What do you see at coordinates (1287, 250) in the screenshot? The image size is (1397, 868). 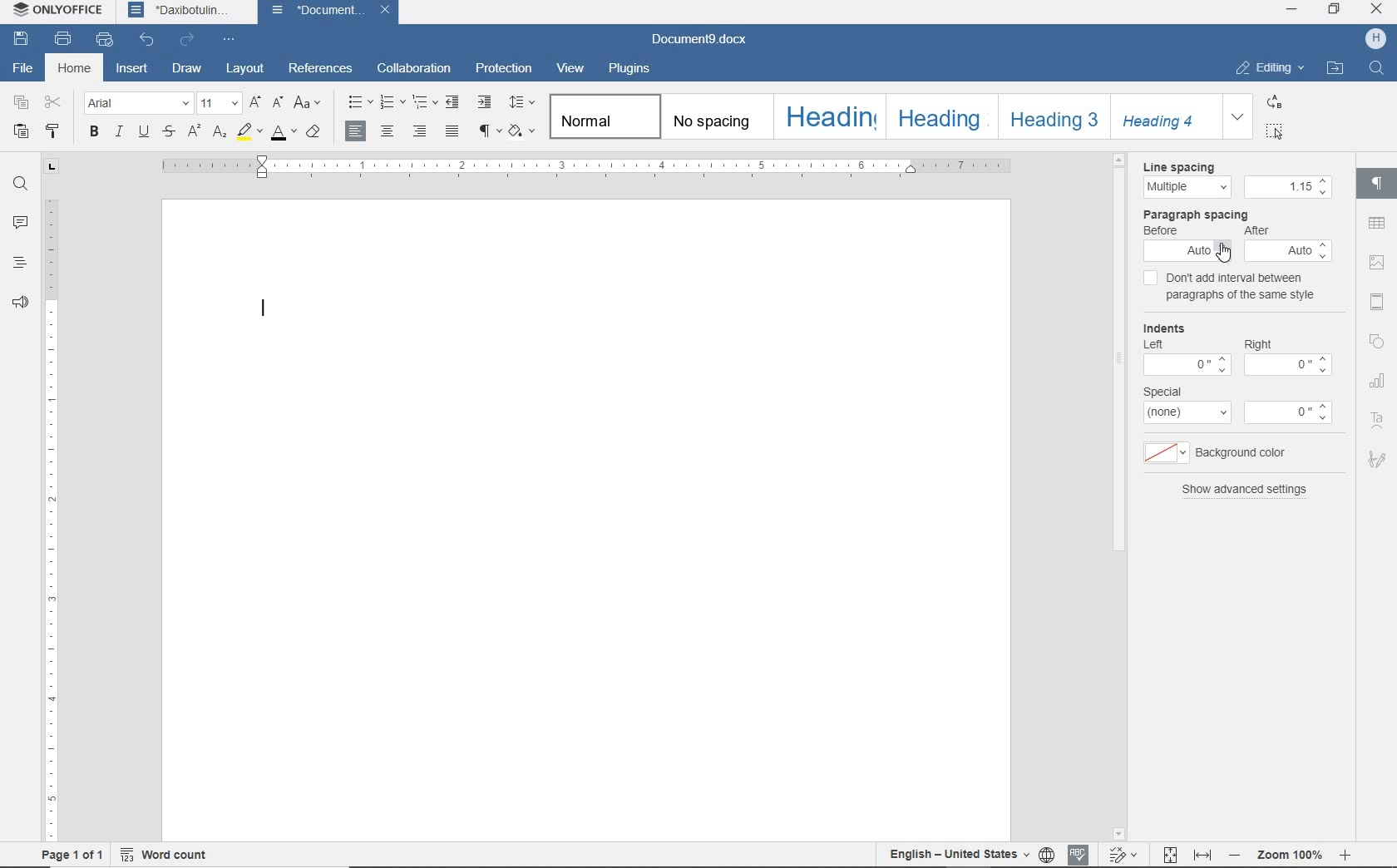 I see `after spacing` at bounding box center [1287, 250].